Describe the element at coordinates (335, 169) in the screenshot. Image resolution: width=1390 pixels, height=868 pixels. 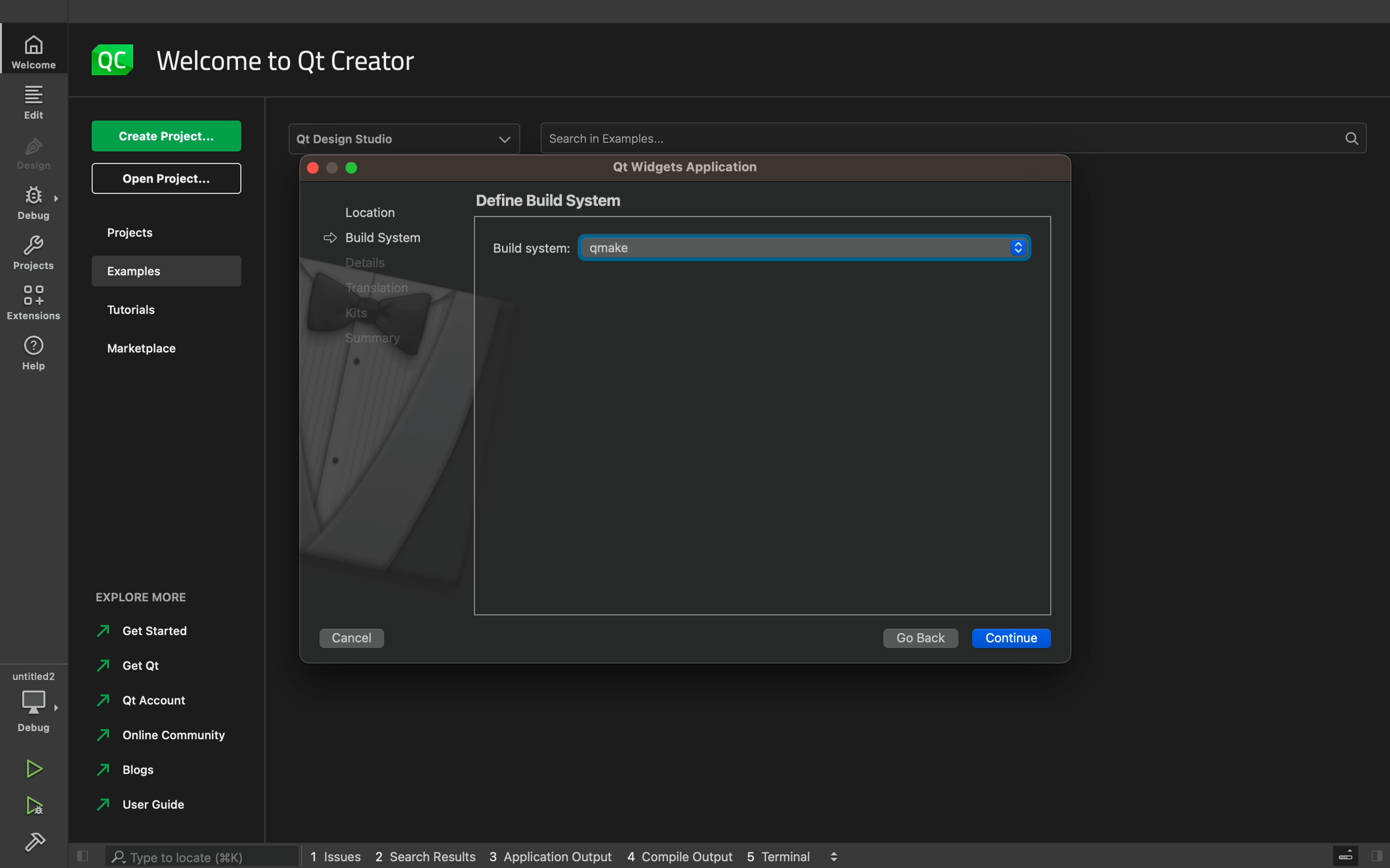
I see `window control` at that location.